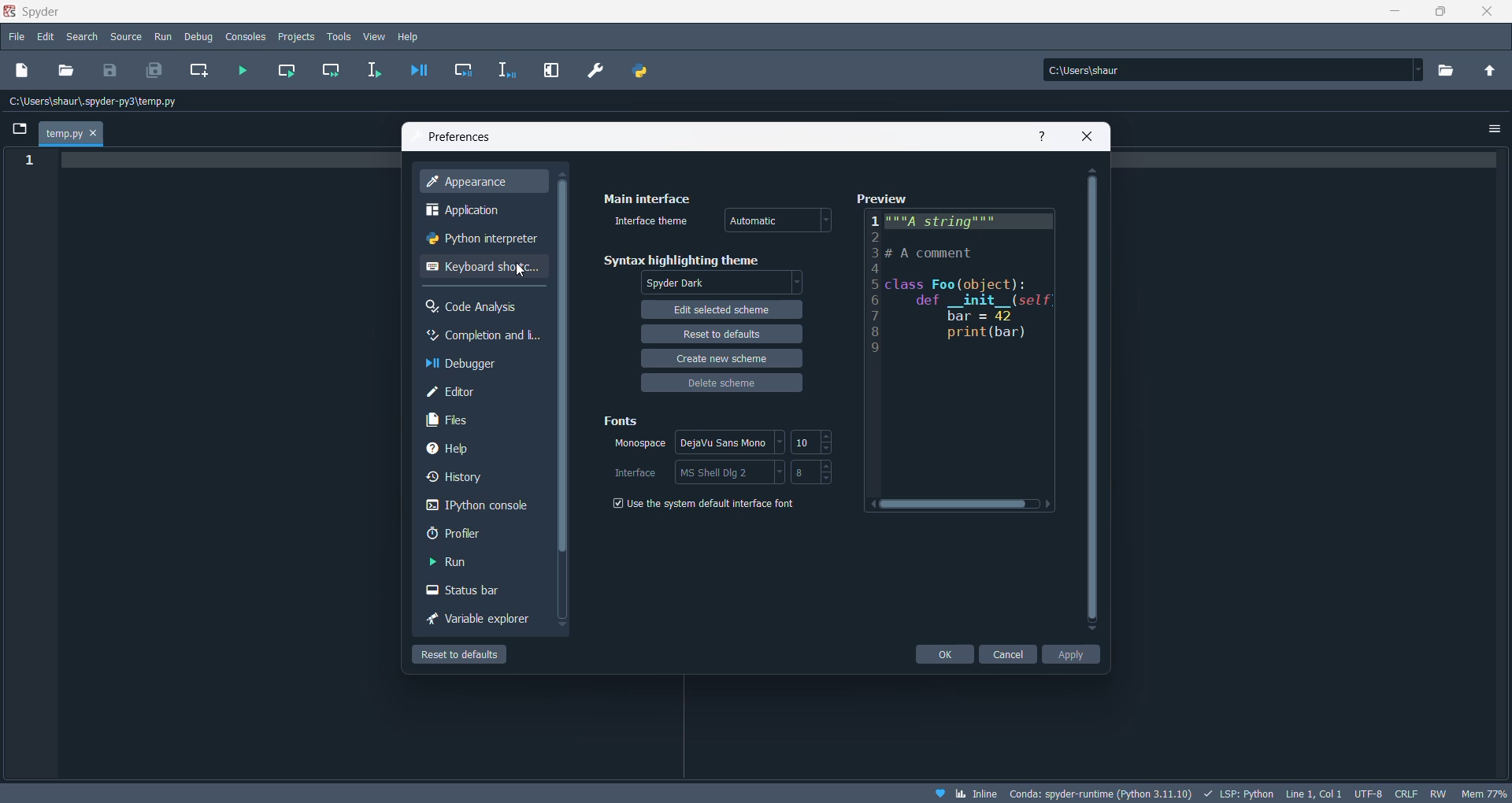  What do you see at coordinates (939, 793) in the screenshot?
I see `donate to spyder` at bounding box center [939, 793].